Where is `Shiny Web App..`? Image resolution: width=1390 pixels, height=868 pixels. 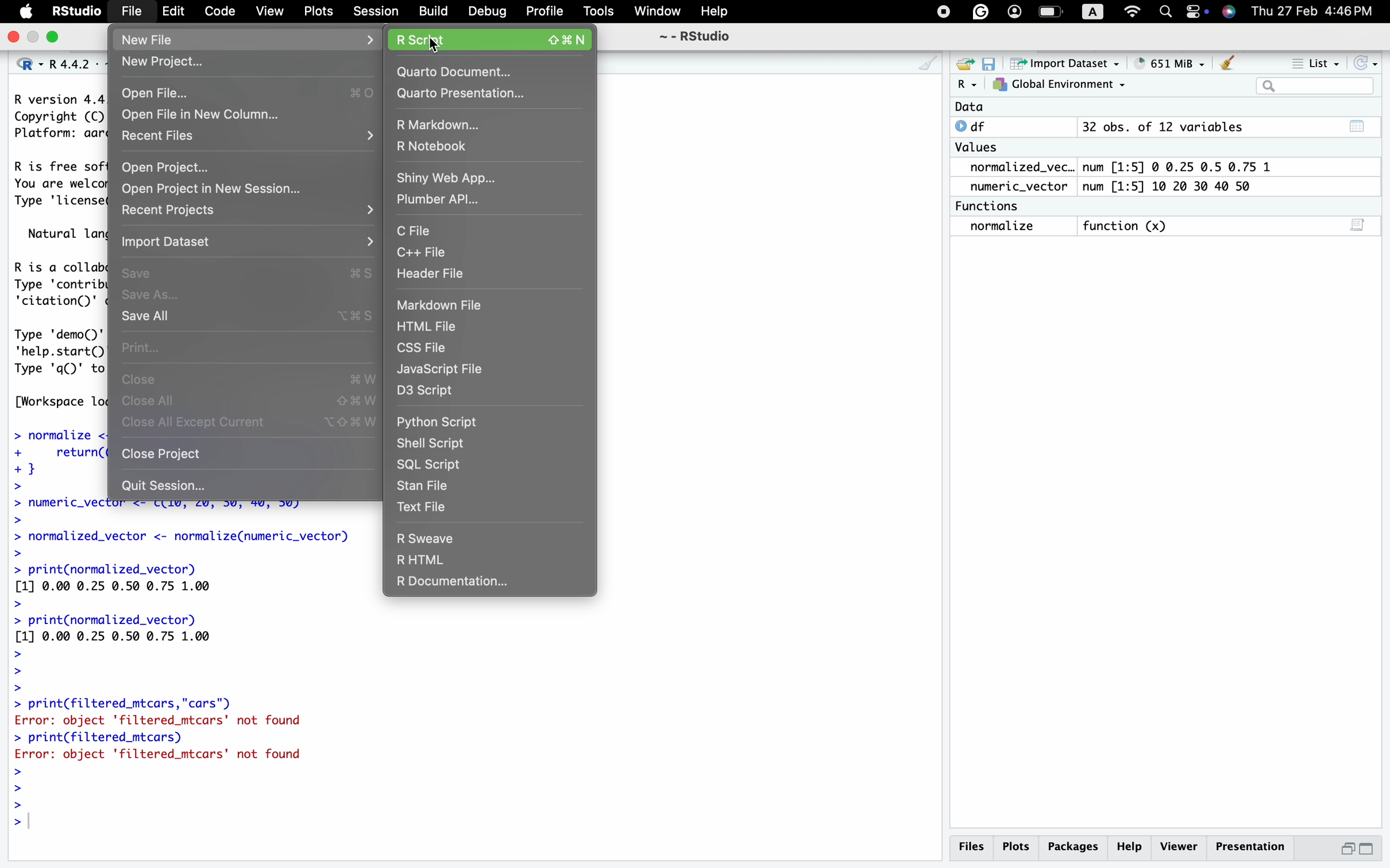
Shiny Web App.. is located at coordinates (443, 176).